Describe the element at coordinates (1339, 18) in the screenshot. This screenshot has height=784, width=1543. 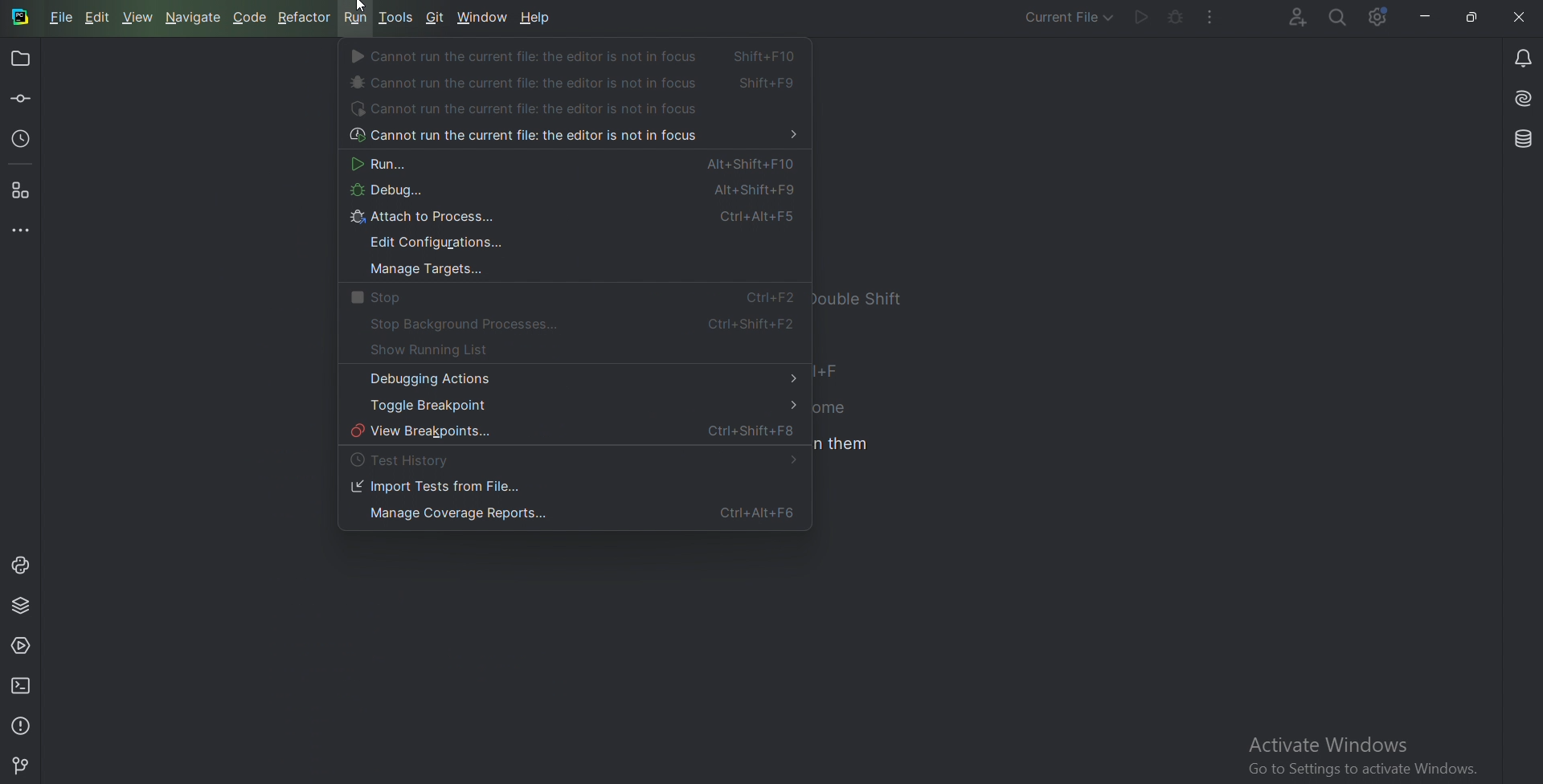
I see `Search everywhere` at that location.